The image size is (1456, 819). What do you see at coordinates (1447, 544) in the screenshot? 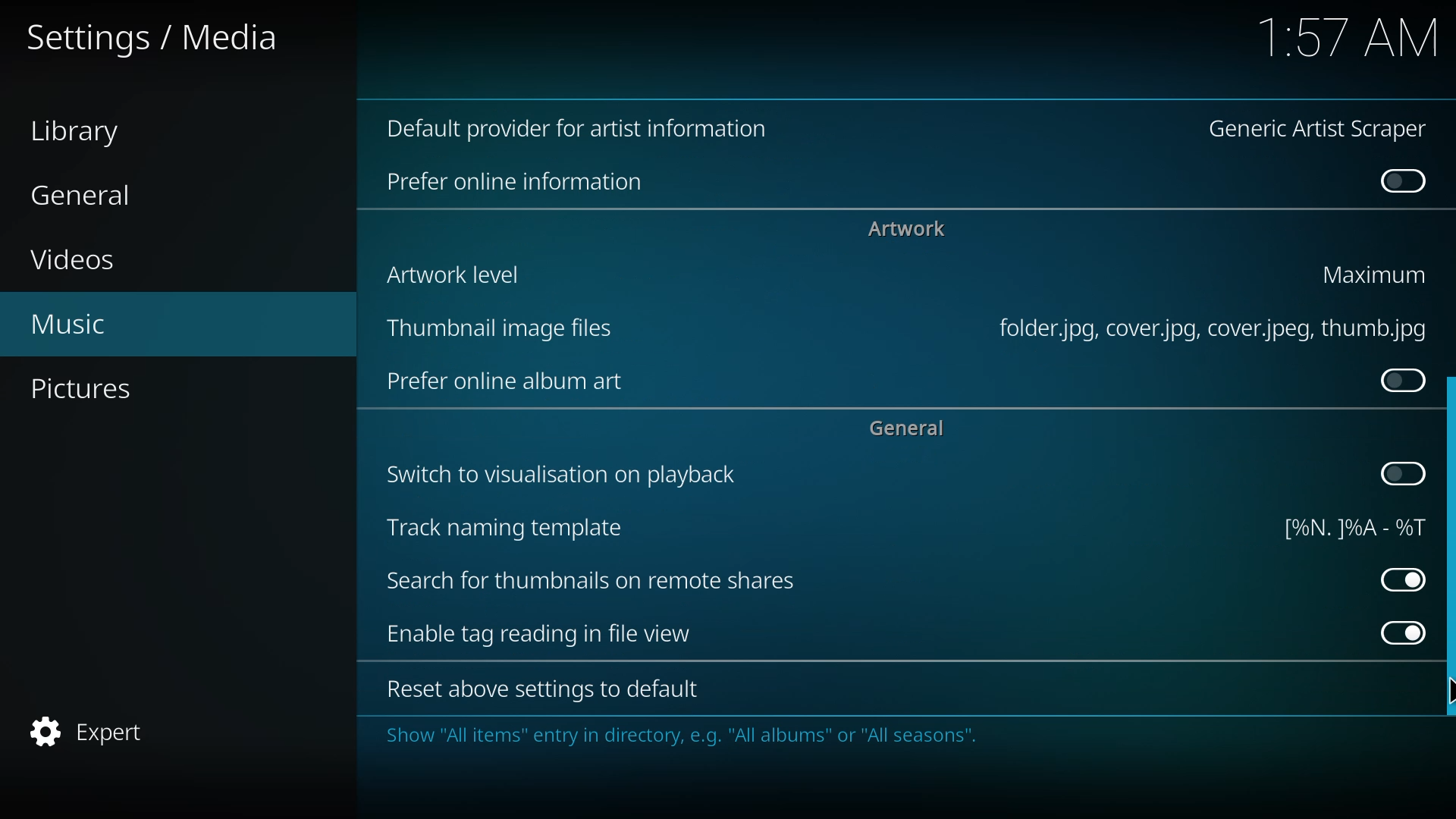
I see `scroll bar` at bounding box center [1447, 544].